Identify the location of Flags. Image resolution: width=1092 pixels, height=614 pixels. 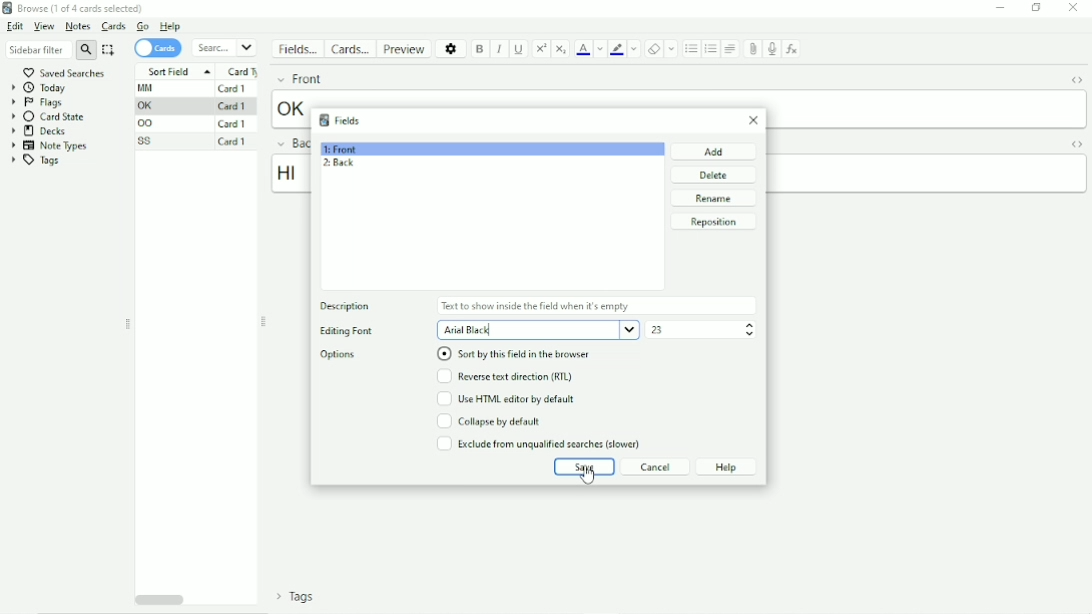
(37, 103).